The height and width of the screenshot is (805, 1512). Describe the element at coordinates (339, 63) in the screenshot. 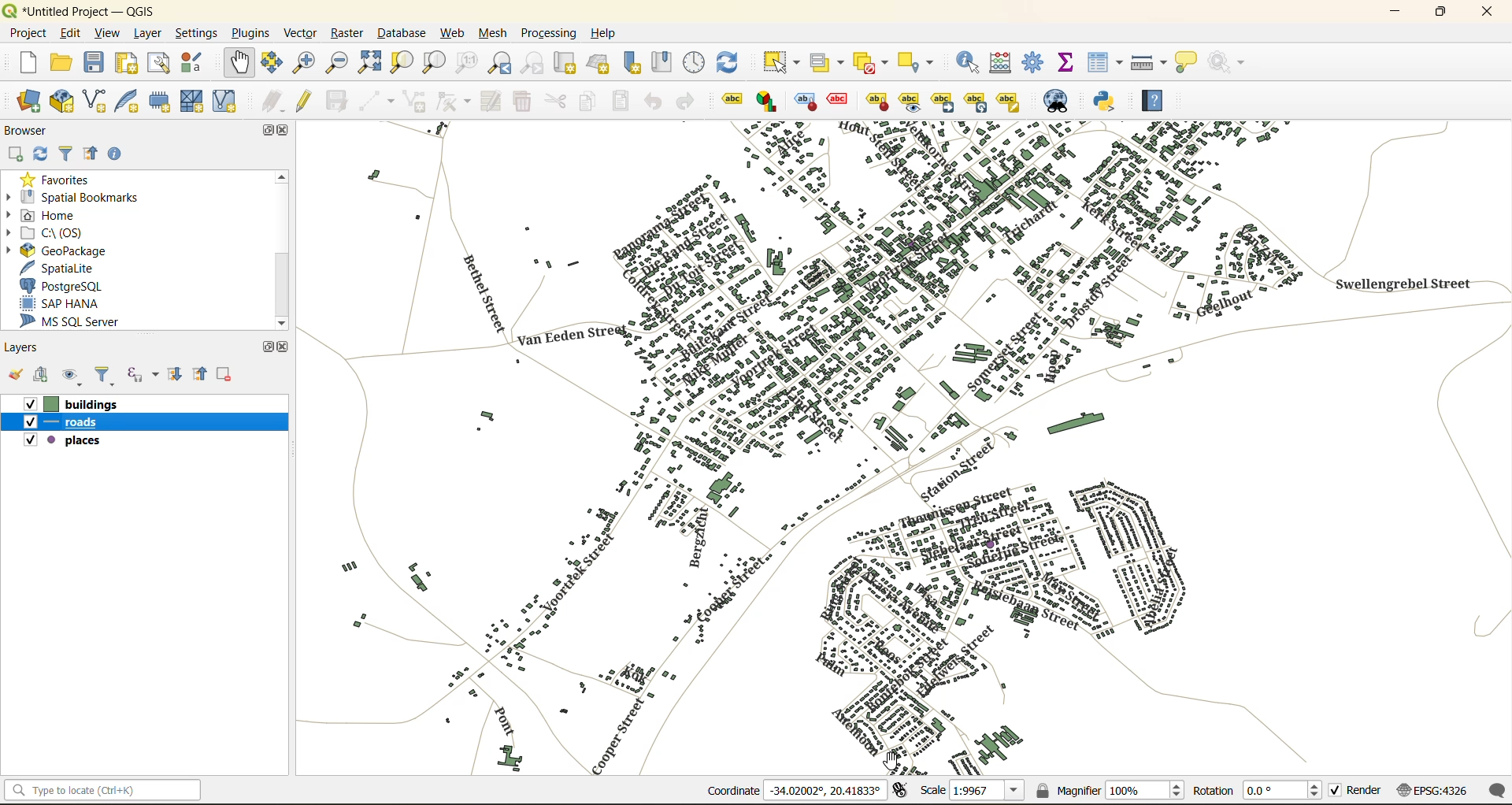

I see `zoom out` at that location.